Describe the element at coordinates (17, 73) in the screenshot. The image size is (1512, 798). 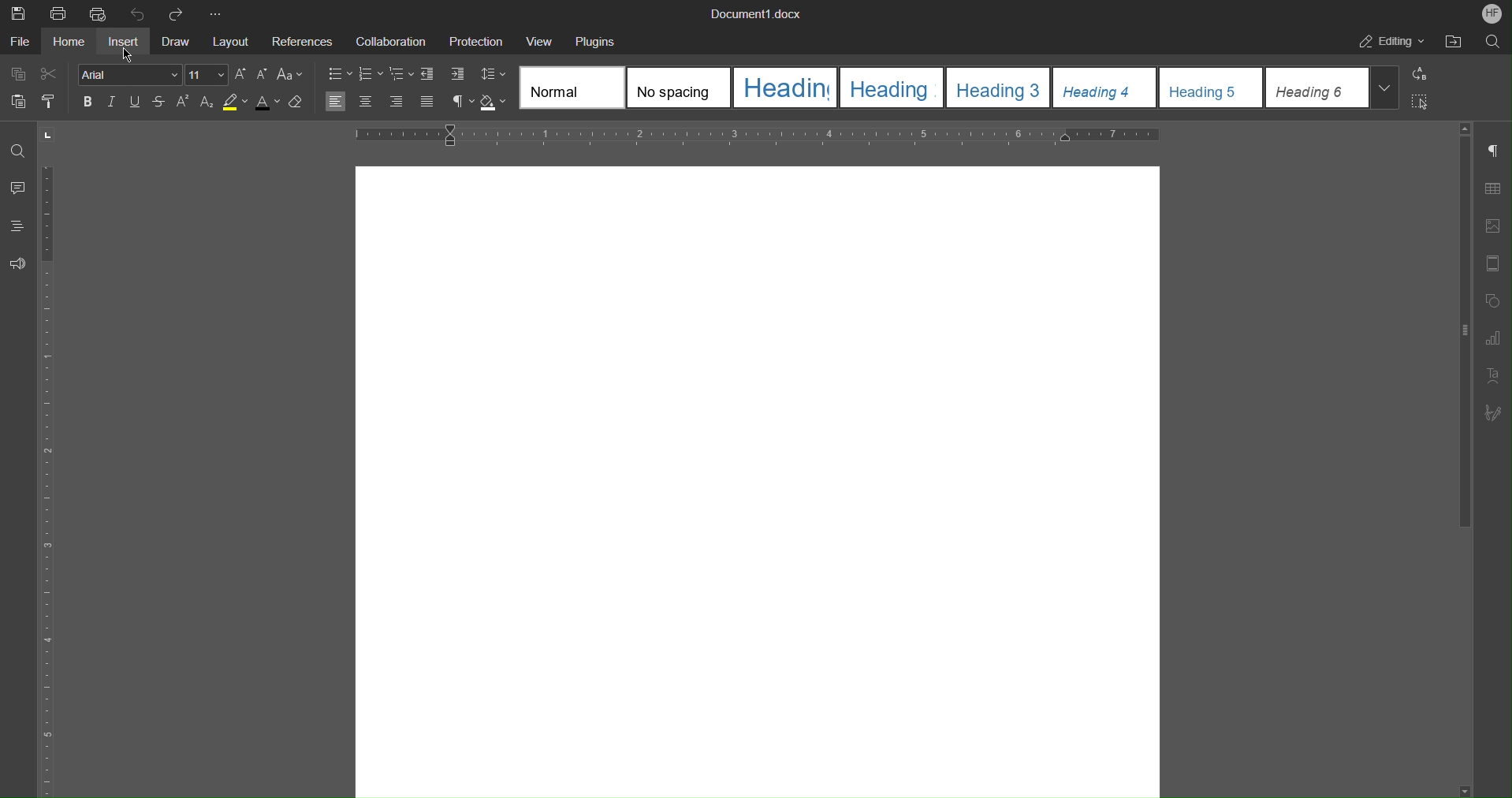
I see `Copy` at that location.